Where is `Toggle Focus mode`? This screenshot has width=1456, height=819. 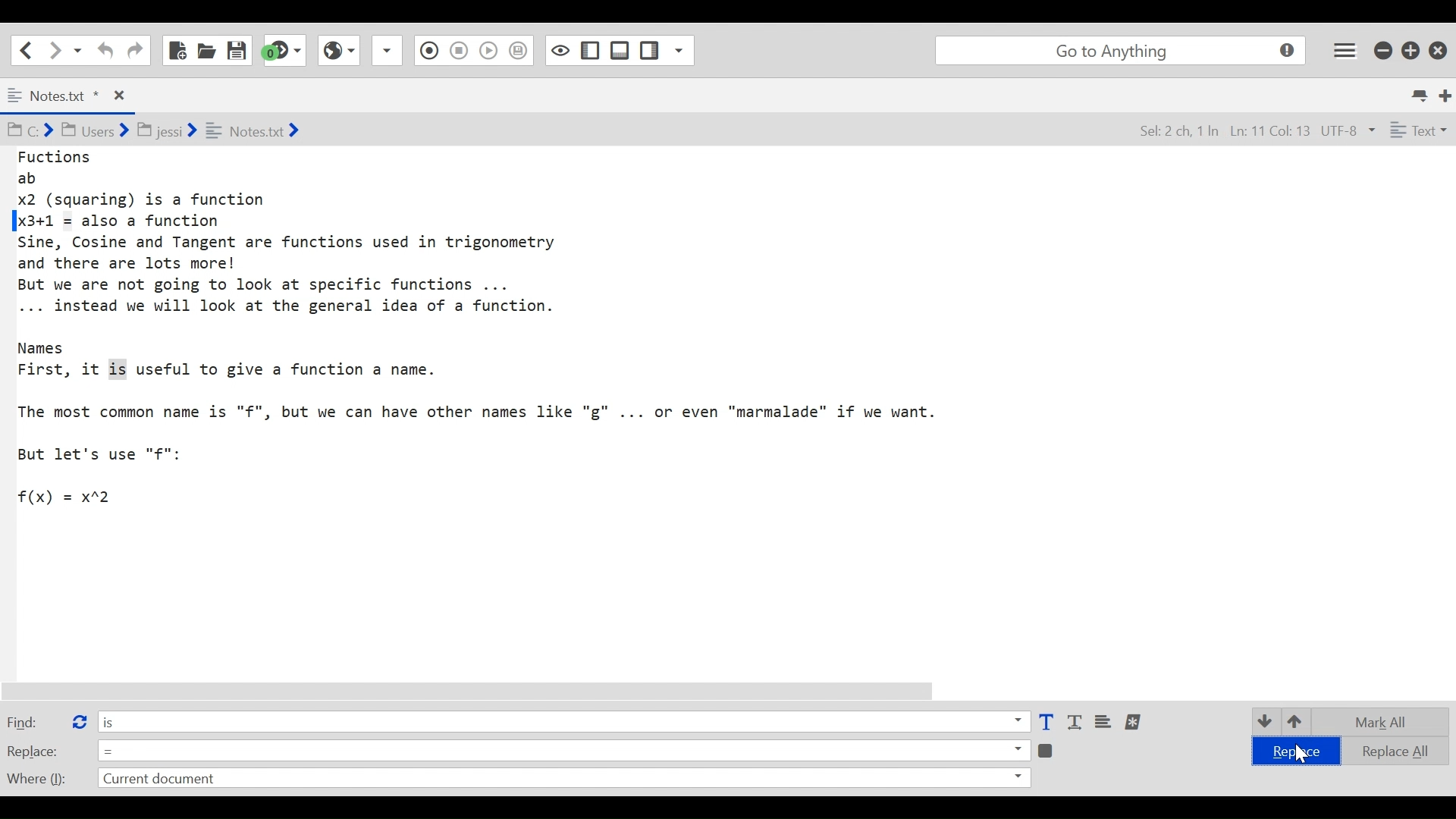
Toggle Focus mode is located at coordinates (520, 51).